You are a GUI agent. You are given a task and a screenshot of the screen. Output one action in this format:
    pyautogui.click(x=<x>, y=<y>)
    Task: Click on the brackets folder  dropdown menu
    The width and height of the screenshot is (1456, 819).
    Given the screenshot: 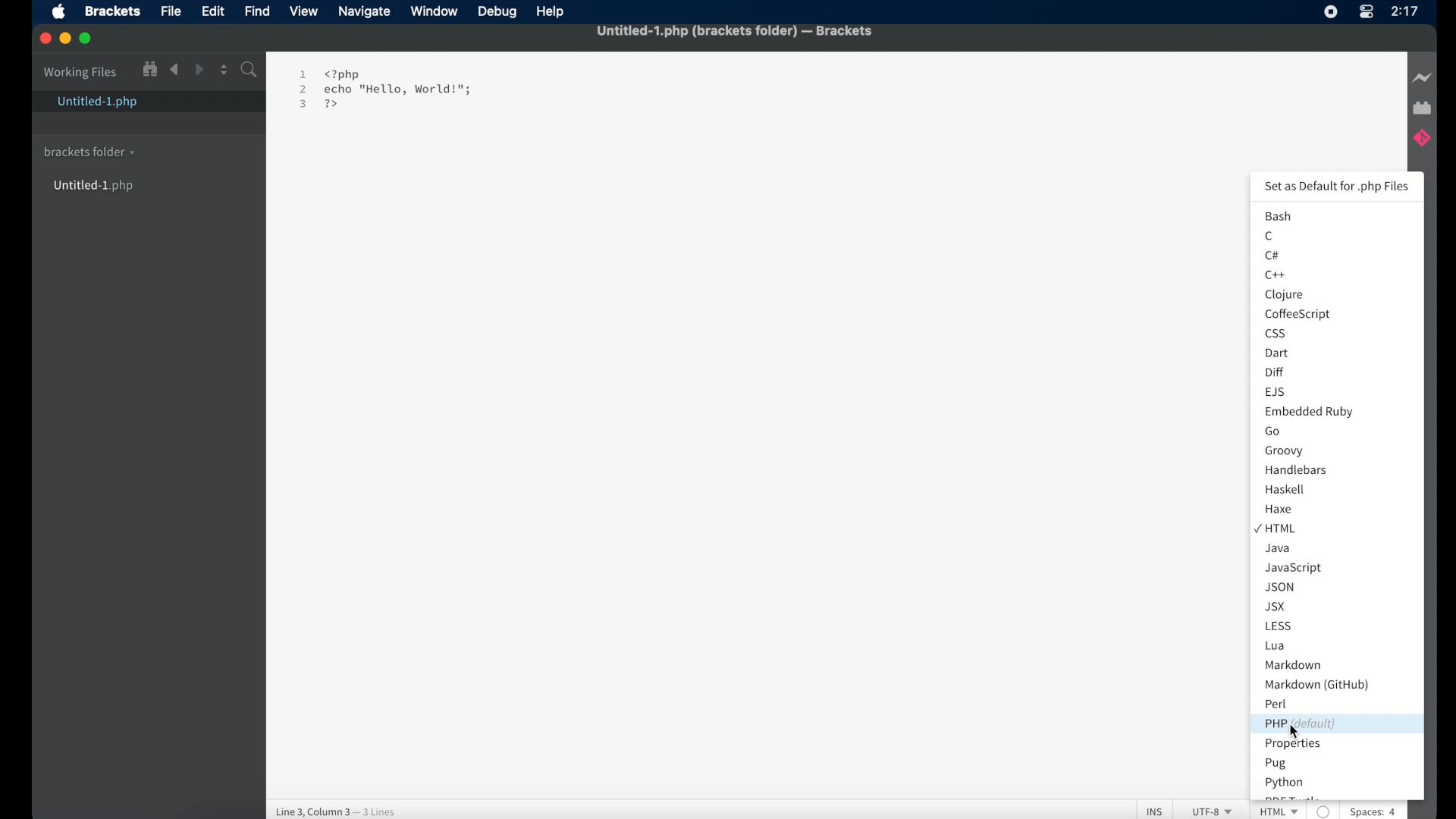 What is the action you would take?
    pyautogui.click(x=89, y=152)
    